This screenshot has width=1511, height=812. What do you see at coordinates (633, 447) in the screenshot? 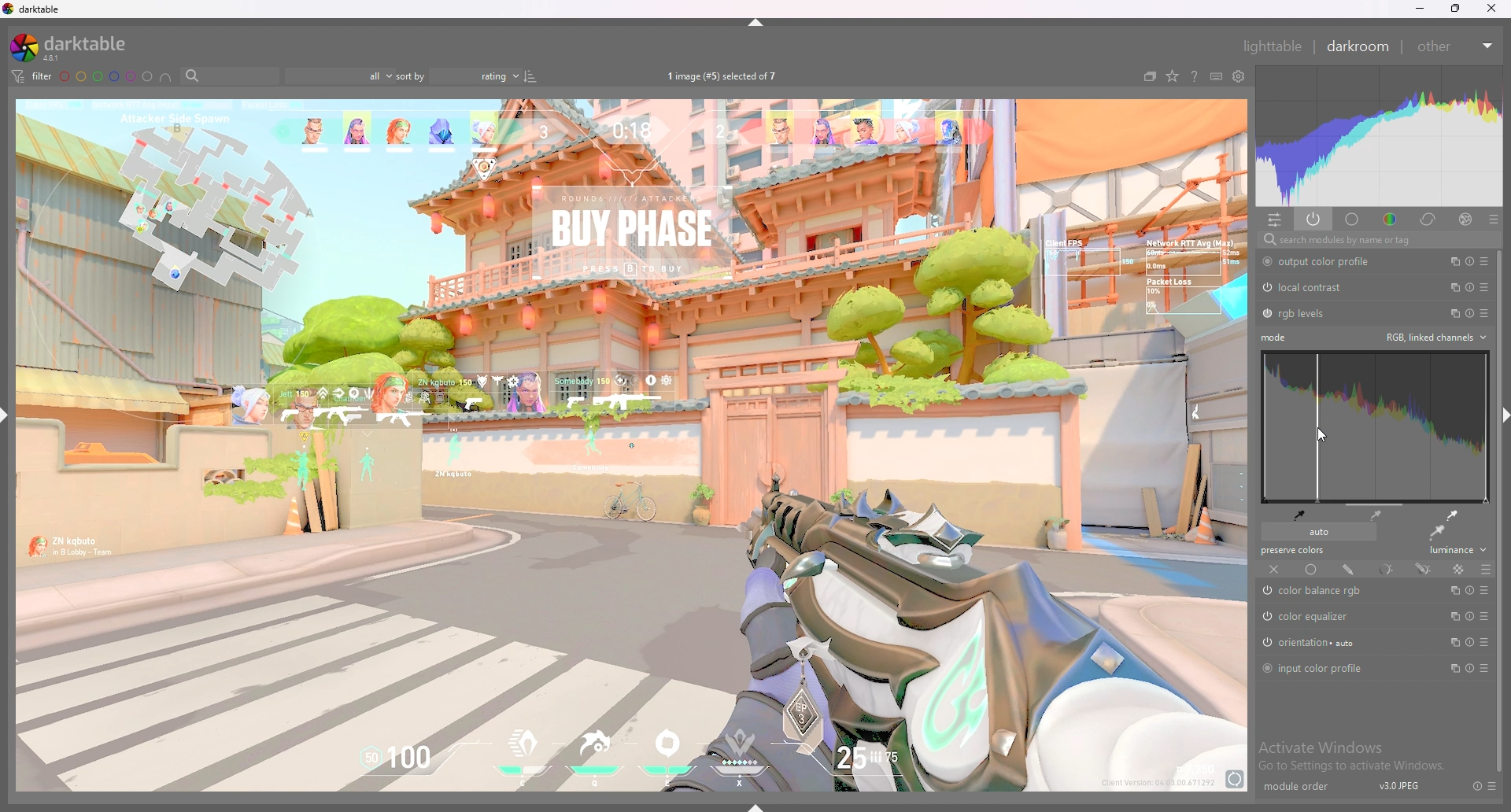
I see `image` at bounding box center [633, 447].